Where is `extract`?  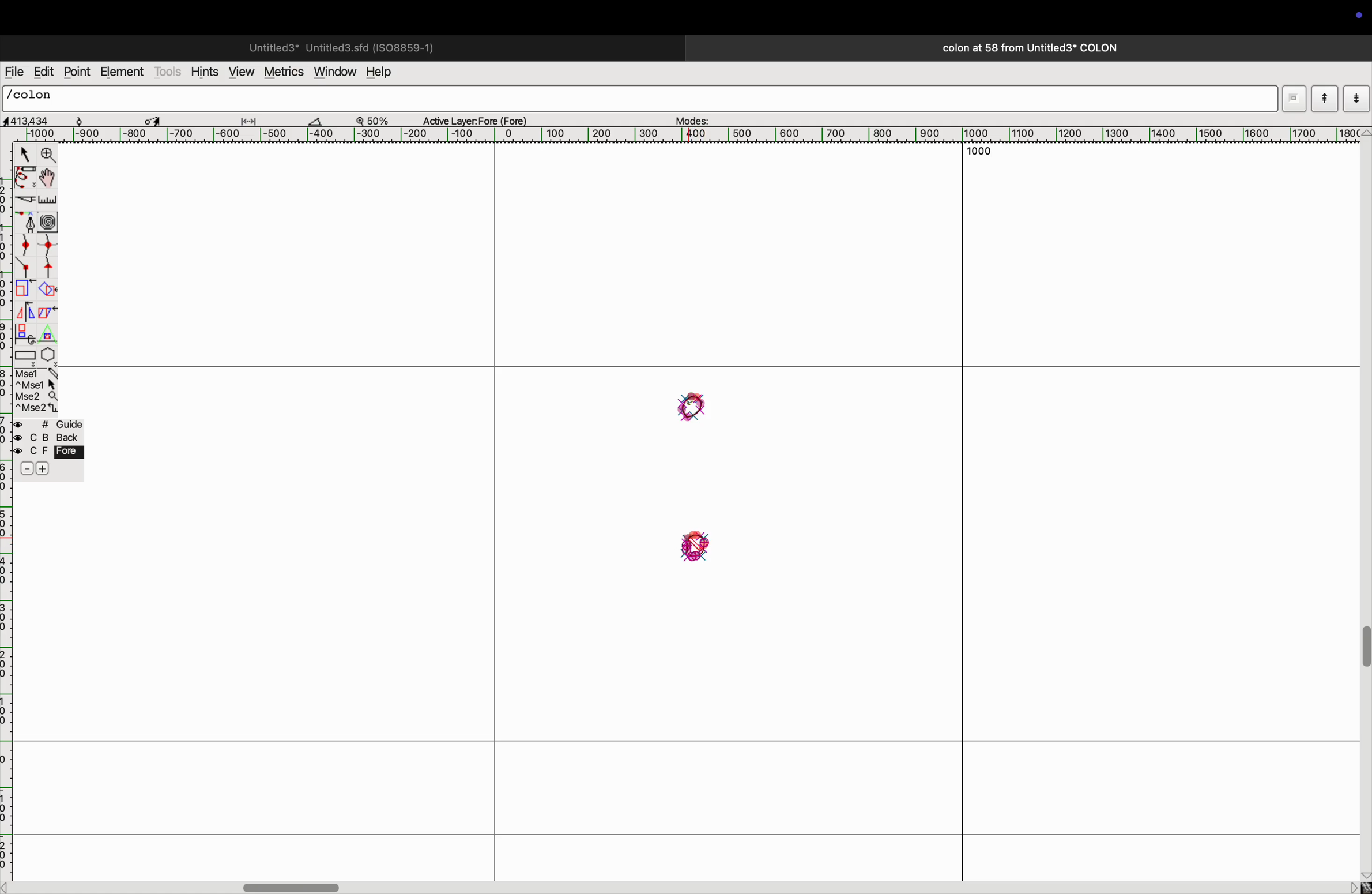 extract is located at coordinates (47, 290).